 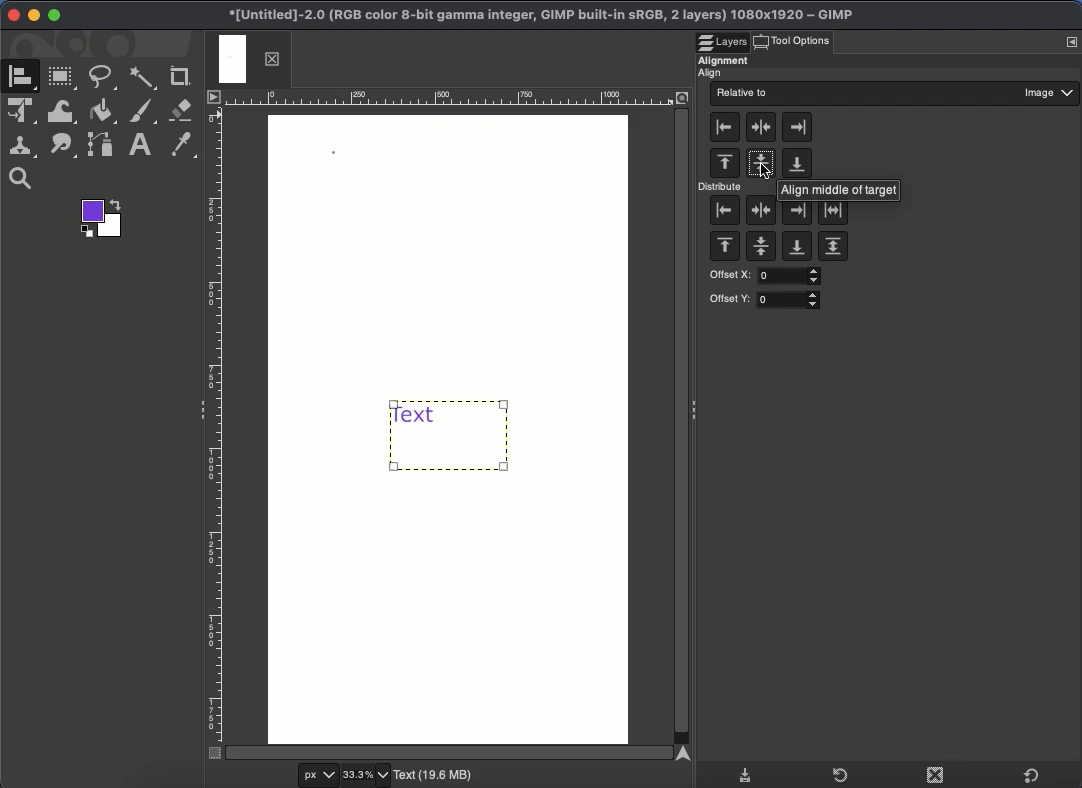 What do you see at coordinates (13, 15) in the screenshot?
I see `Close` at bounding box center [13, 15].